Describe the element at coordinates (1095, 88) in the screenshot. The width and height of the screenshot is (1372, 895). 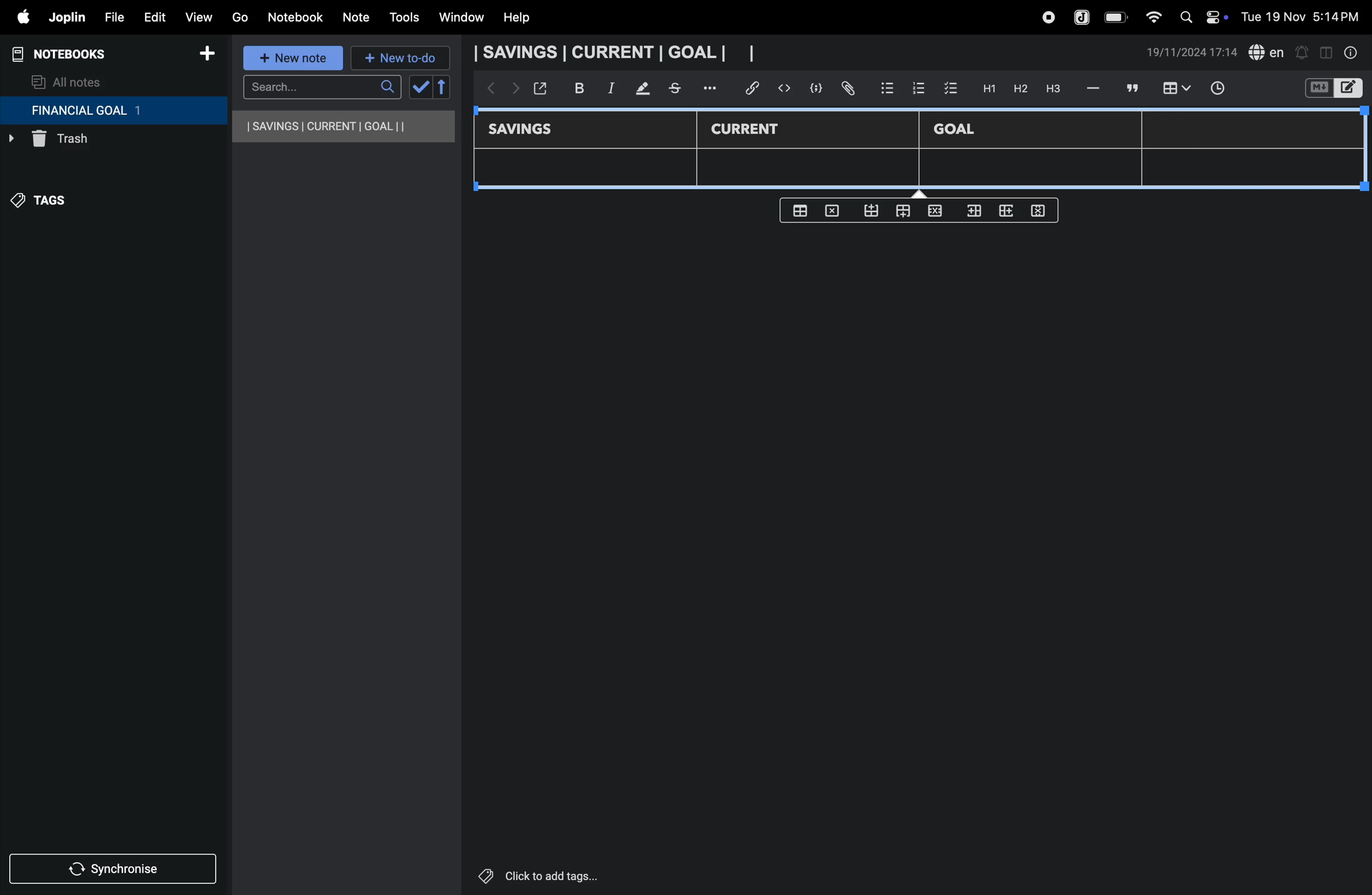
I see `hifen` at that location.